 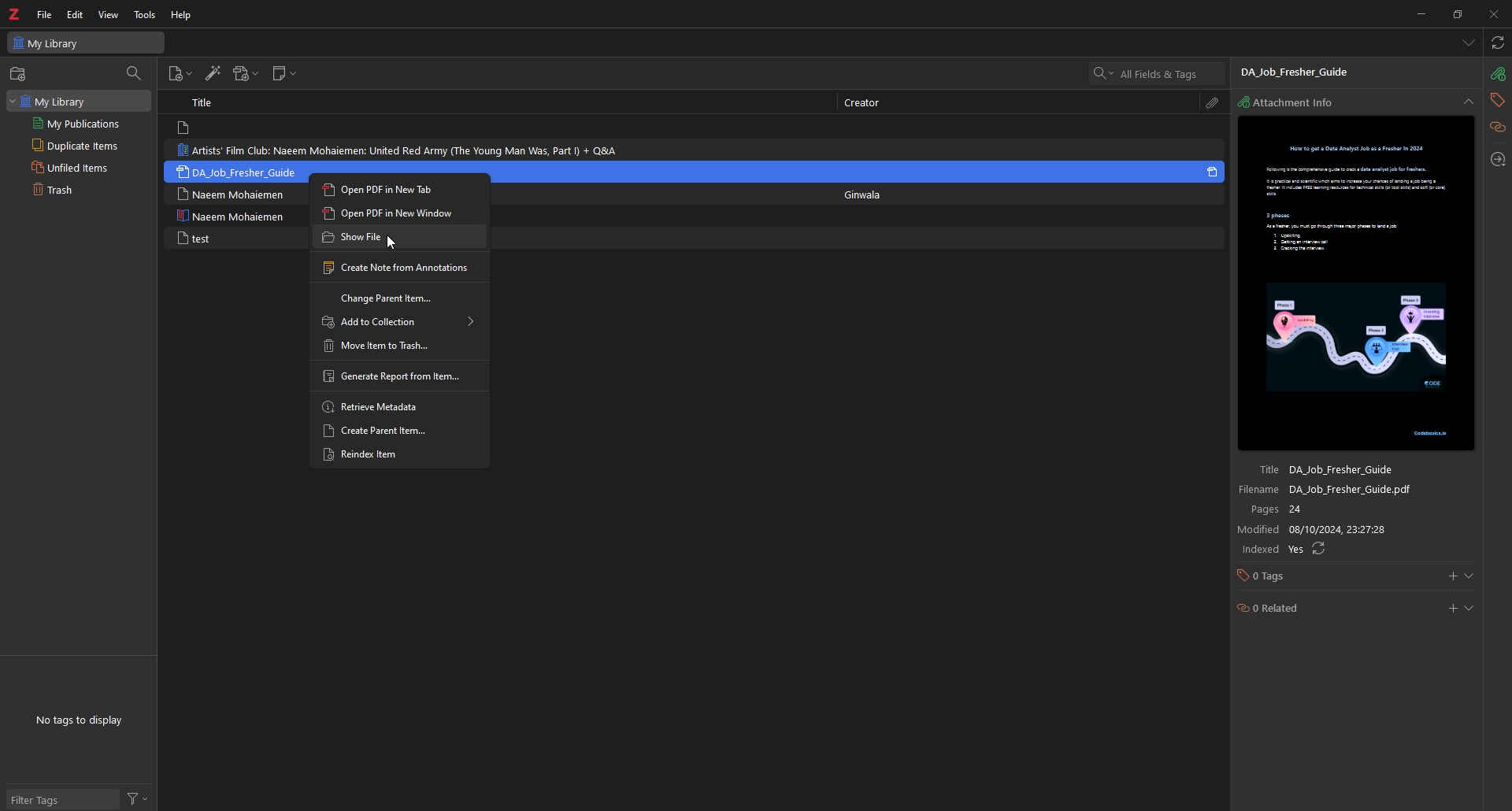 What do you see at coordinates (1468, 103) in the screenshot?
I see `collapse` at bounding box center [1468, 103].